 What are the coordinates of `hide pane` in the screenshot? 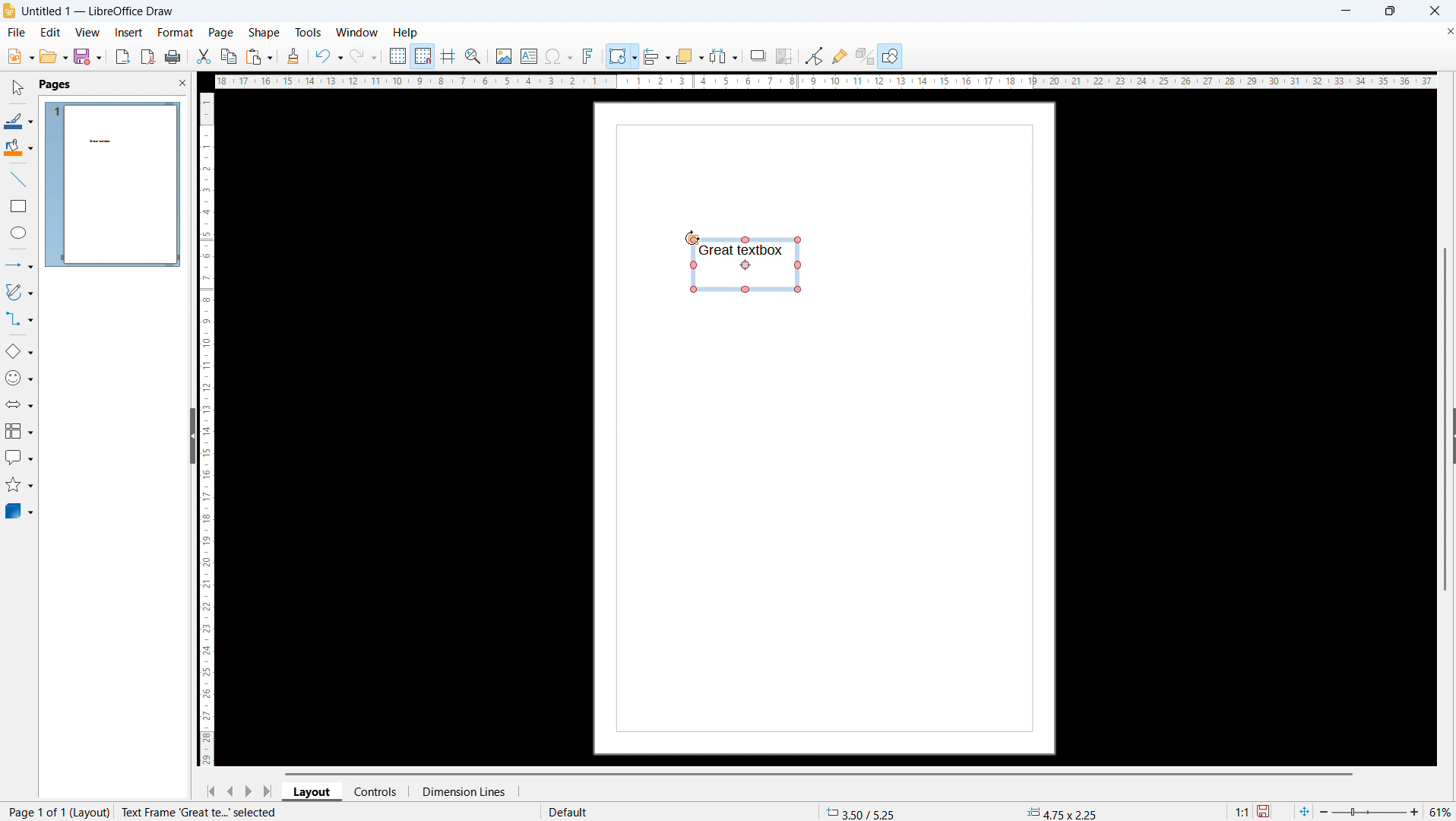 It's located at (191, 436).